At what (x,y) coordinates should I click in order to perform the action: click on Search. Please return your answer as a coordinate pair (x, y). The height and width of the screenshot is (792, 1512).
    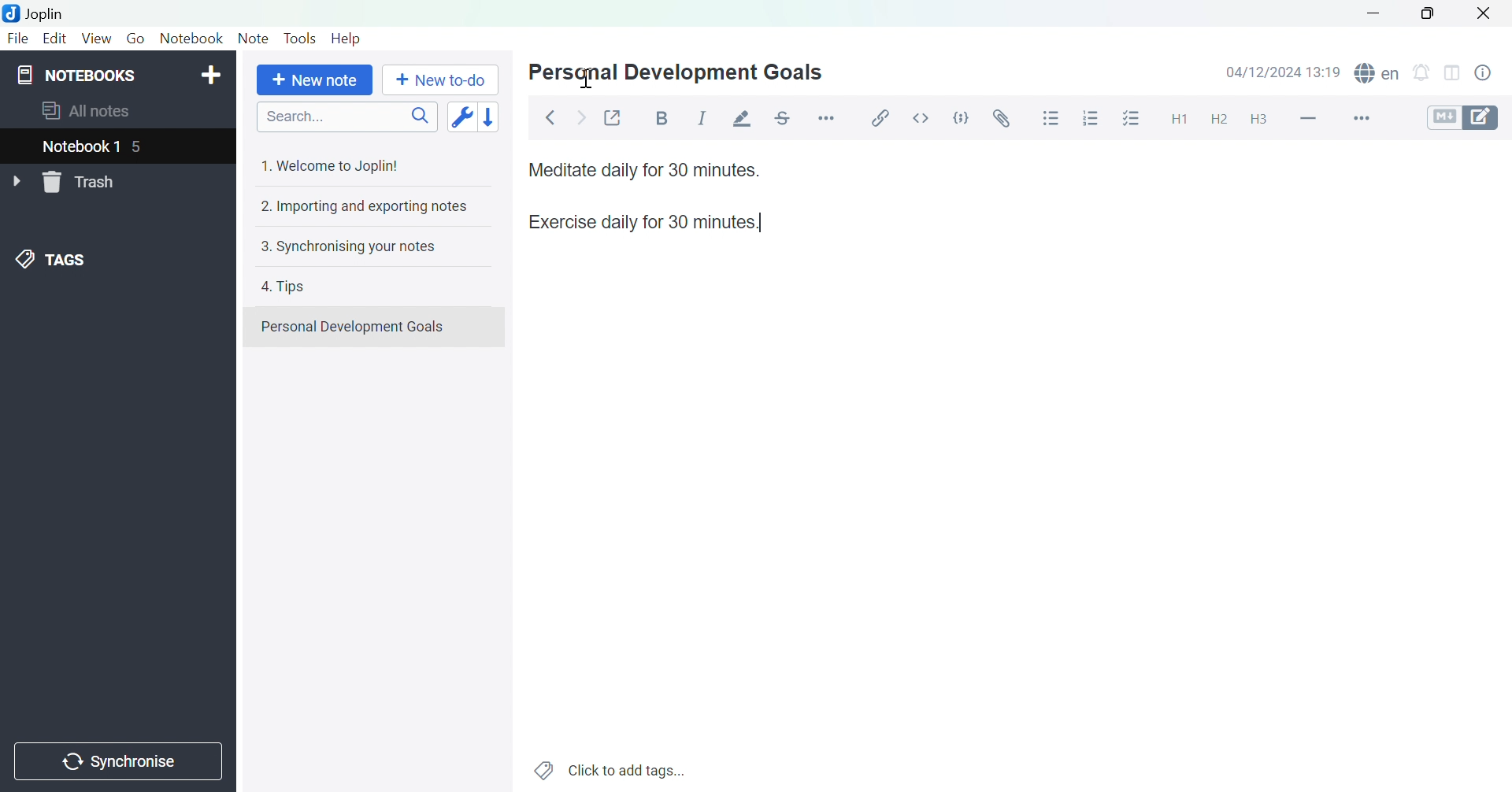
    Looking at the image, I should click on (346, 116).